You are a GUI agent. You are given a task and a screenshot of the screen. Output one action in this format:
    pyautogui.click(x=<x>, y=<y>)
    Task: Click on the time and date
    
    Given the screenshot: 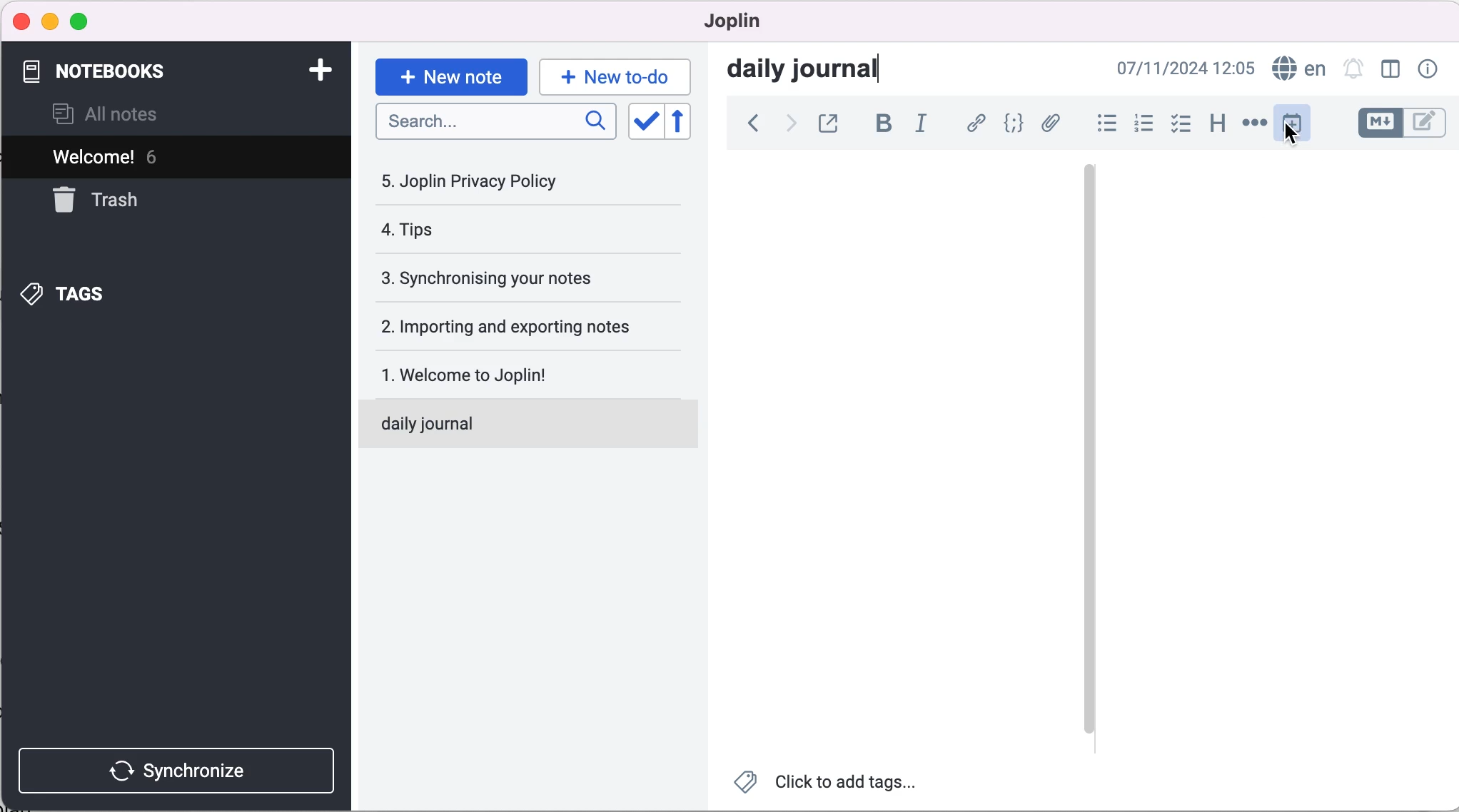 What is the action you would take?
    pyautogui.click(x=1186, y=69)
    